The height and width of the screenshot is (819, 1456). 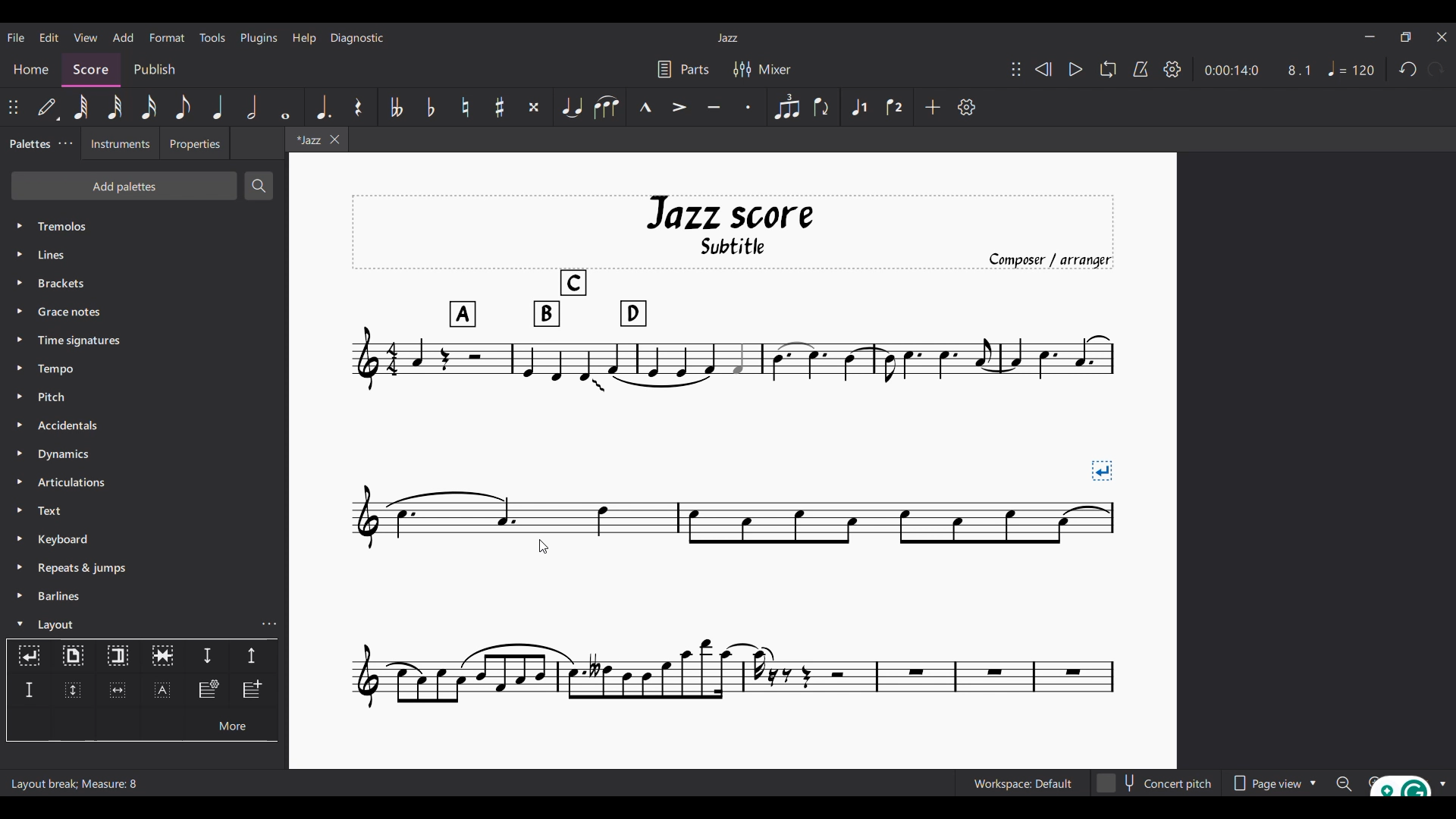 I want to click on 32nd note, so click(x=115, y=107).